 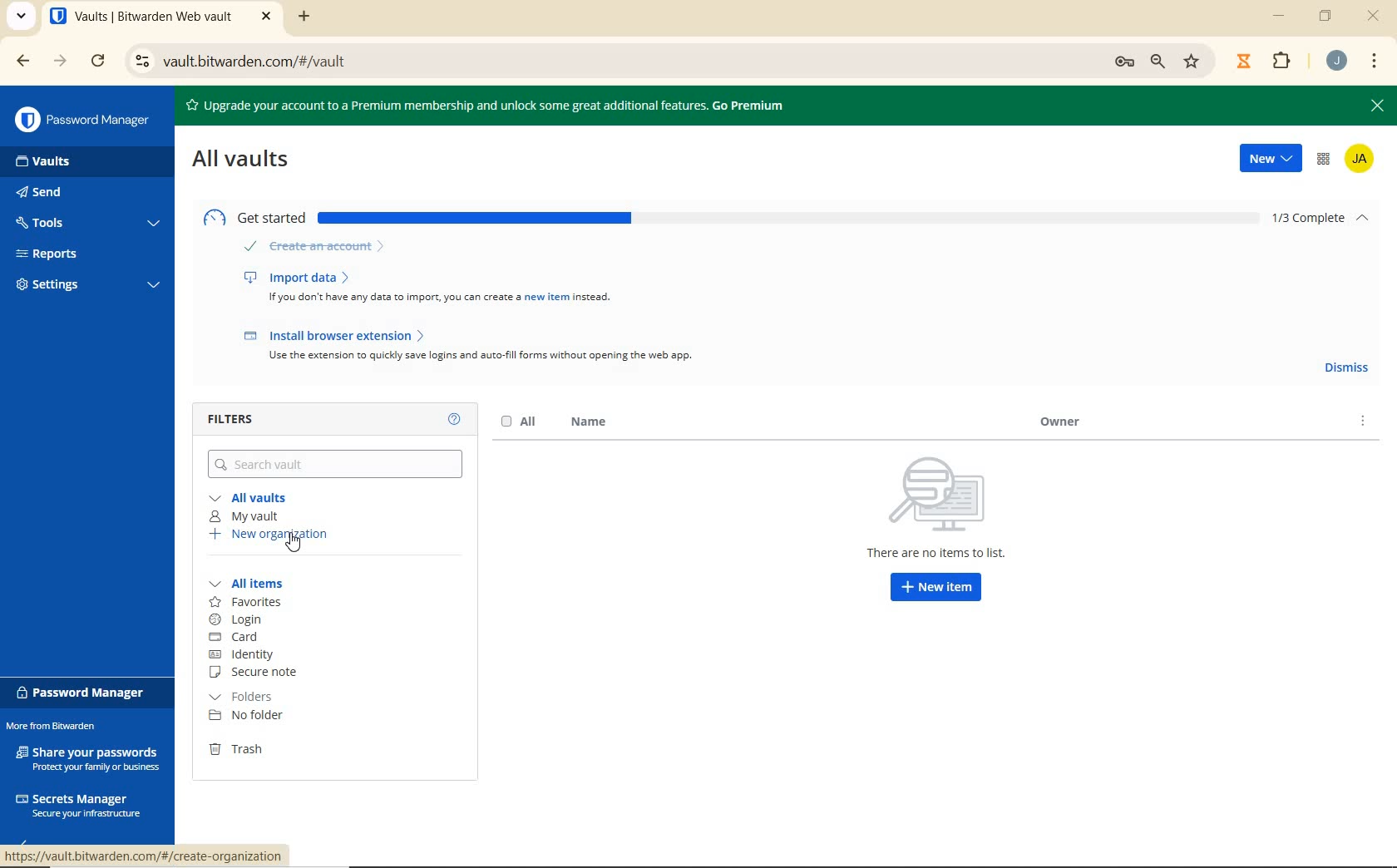 I want to click on no folder, so click(x=249, y=717).